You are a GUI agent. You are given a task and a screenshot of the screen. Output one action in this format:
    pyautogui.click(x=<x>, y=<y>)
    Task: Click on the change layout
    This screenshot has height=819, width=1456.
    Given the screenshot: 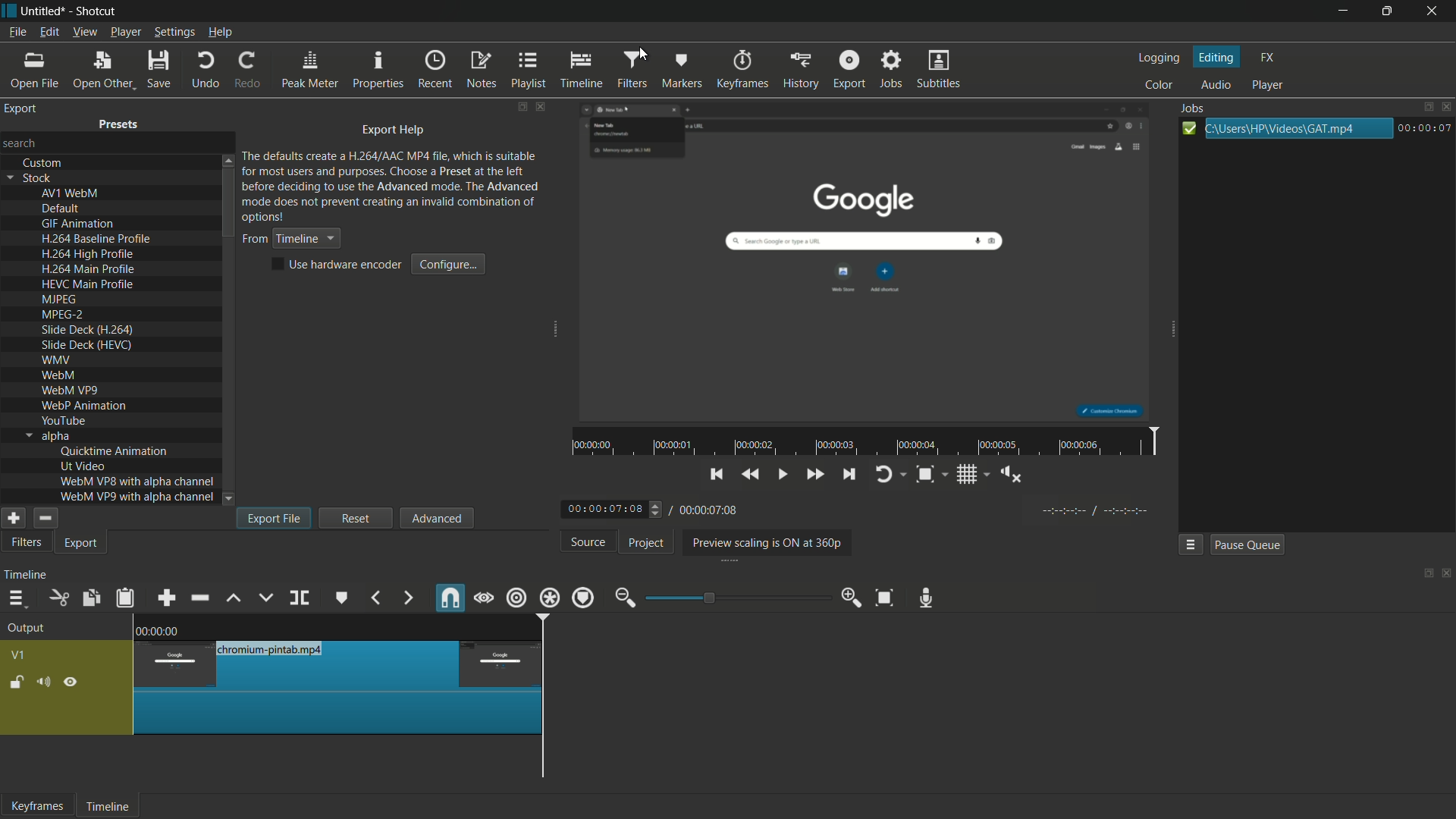 What is the action you would take?
    pyautogui.click(x=520, y=108)
    